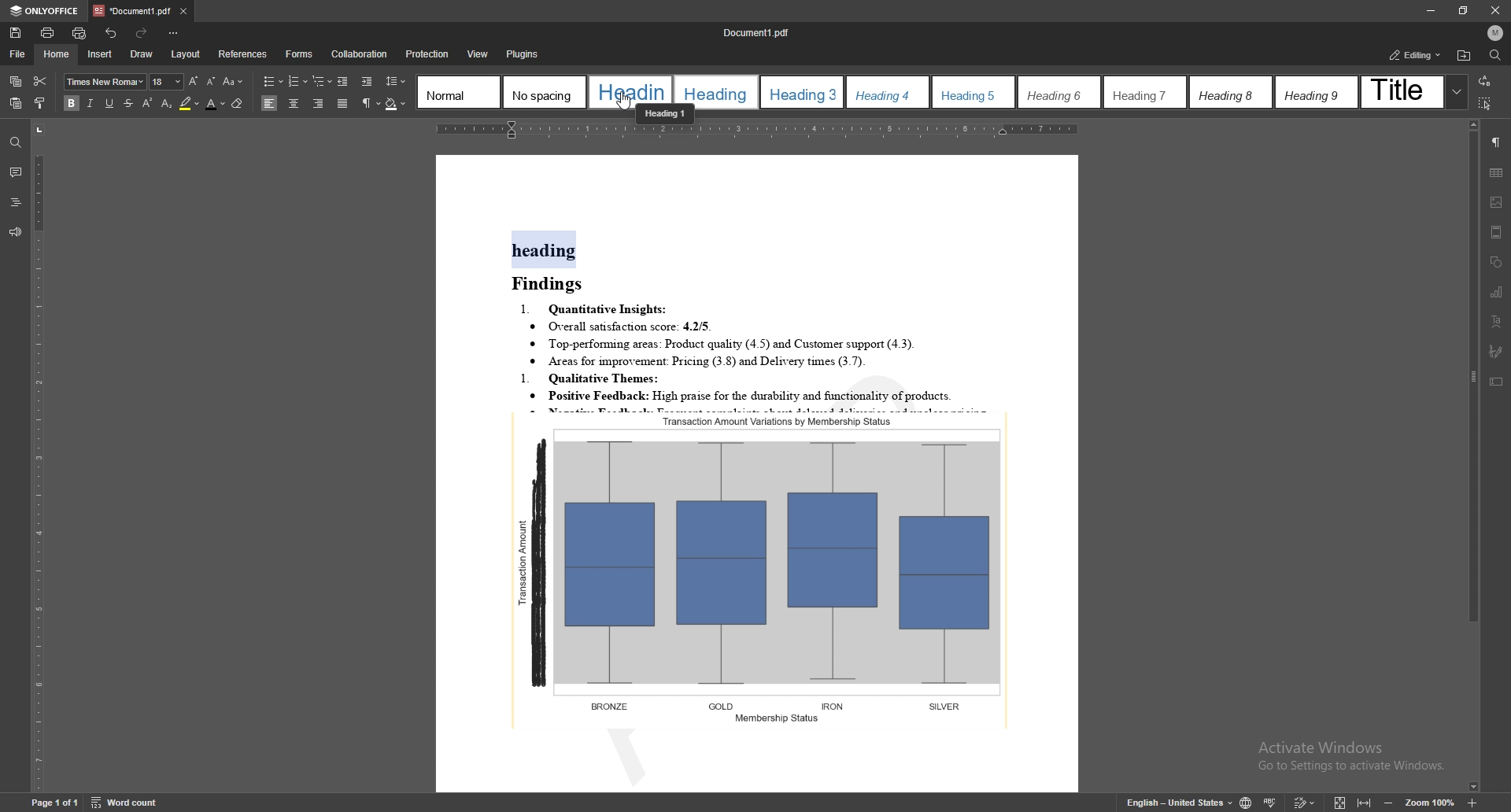 This screenshot has width=1511, height=812. I want to click on status, so click(1416, 55).